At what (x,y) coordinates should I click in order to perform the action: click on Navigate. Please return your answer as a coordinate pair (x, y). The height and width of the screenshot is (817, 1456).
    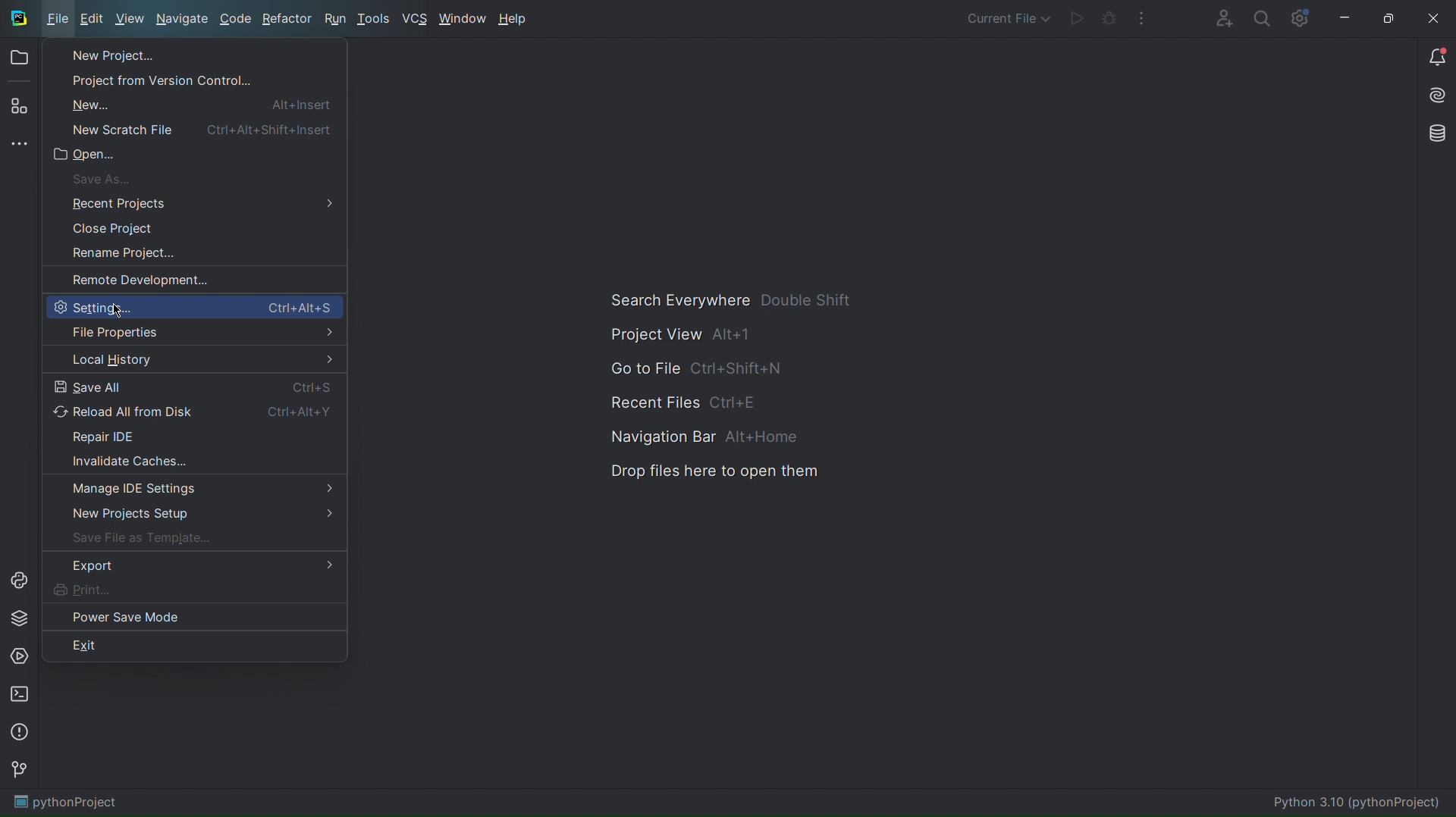
    Looking at the image, I should click on (183, 21).